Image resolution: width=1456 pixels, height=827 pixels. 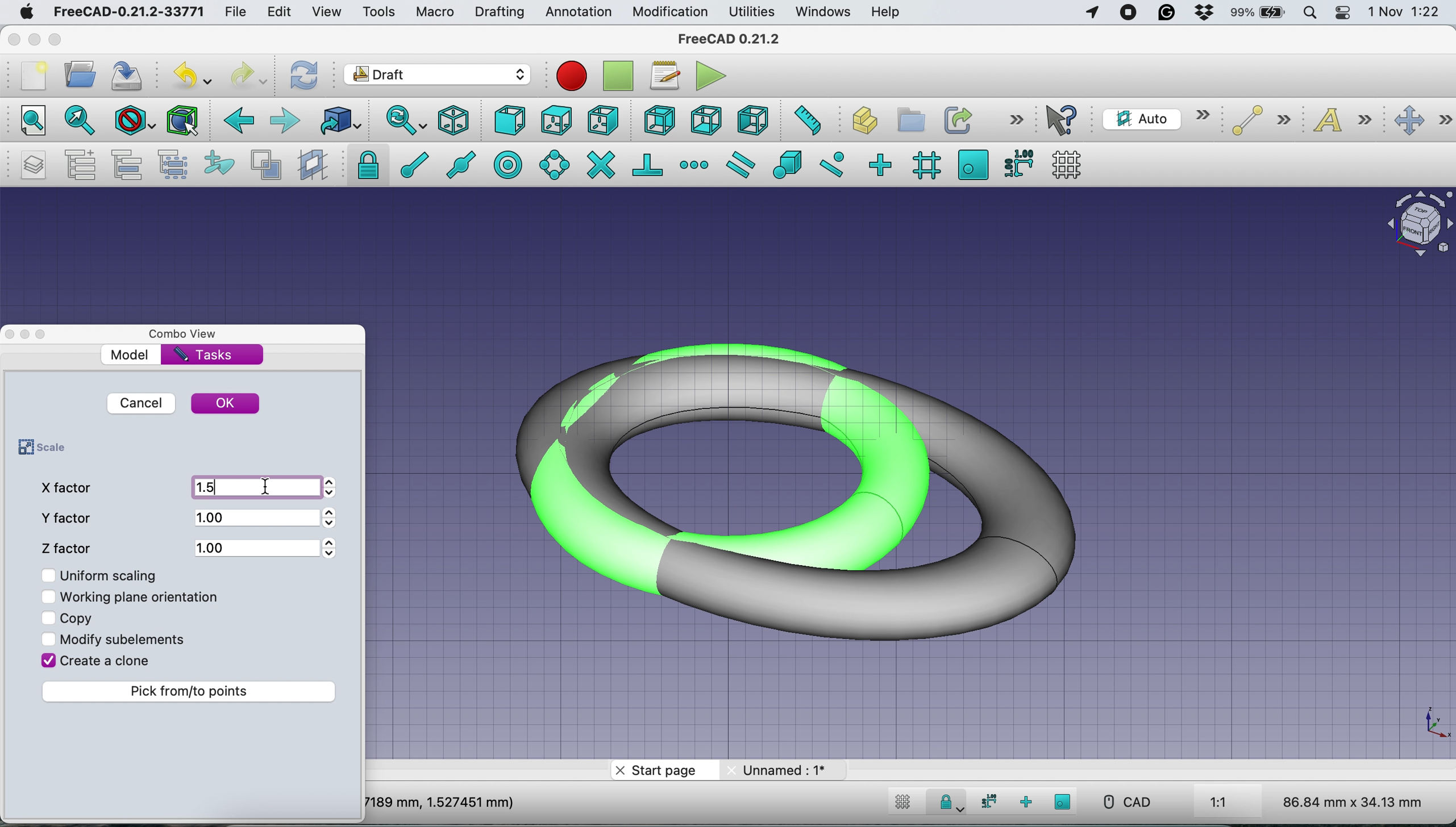 I want to click on snap near, so click(x=833, y=164).